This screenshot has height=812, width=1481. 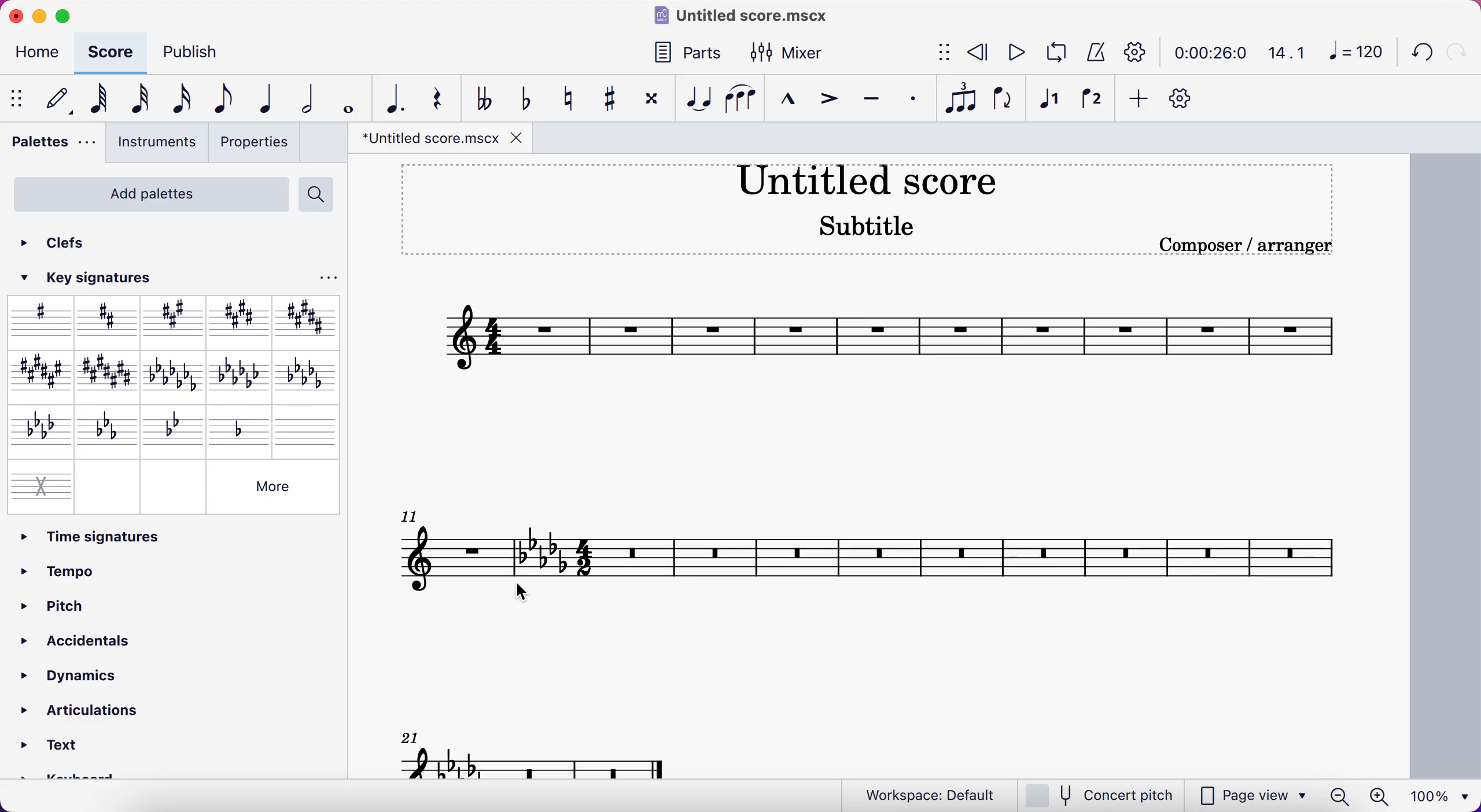 I want to click on C minor, so click(x=107, y=430).